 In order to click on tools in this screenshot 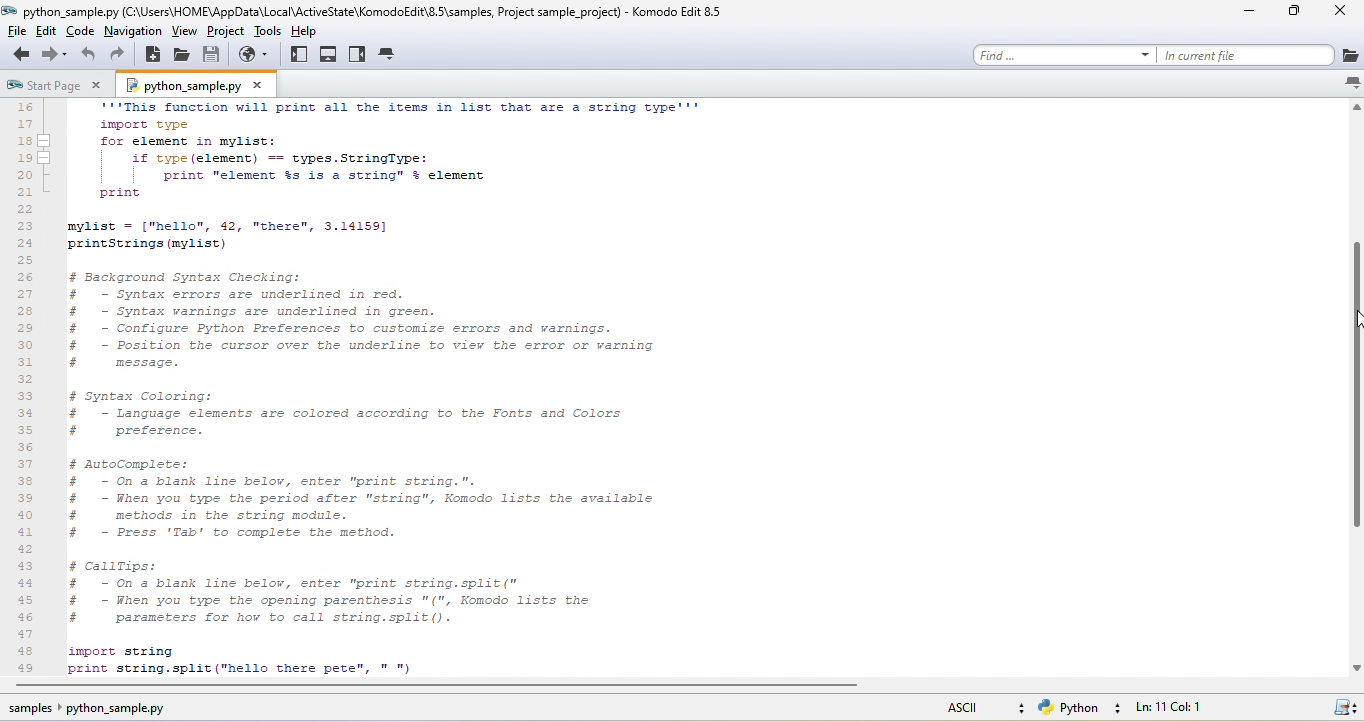, I will do `click(268, 31)`.